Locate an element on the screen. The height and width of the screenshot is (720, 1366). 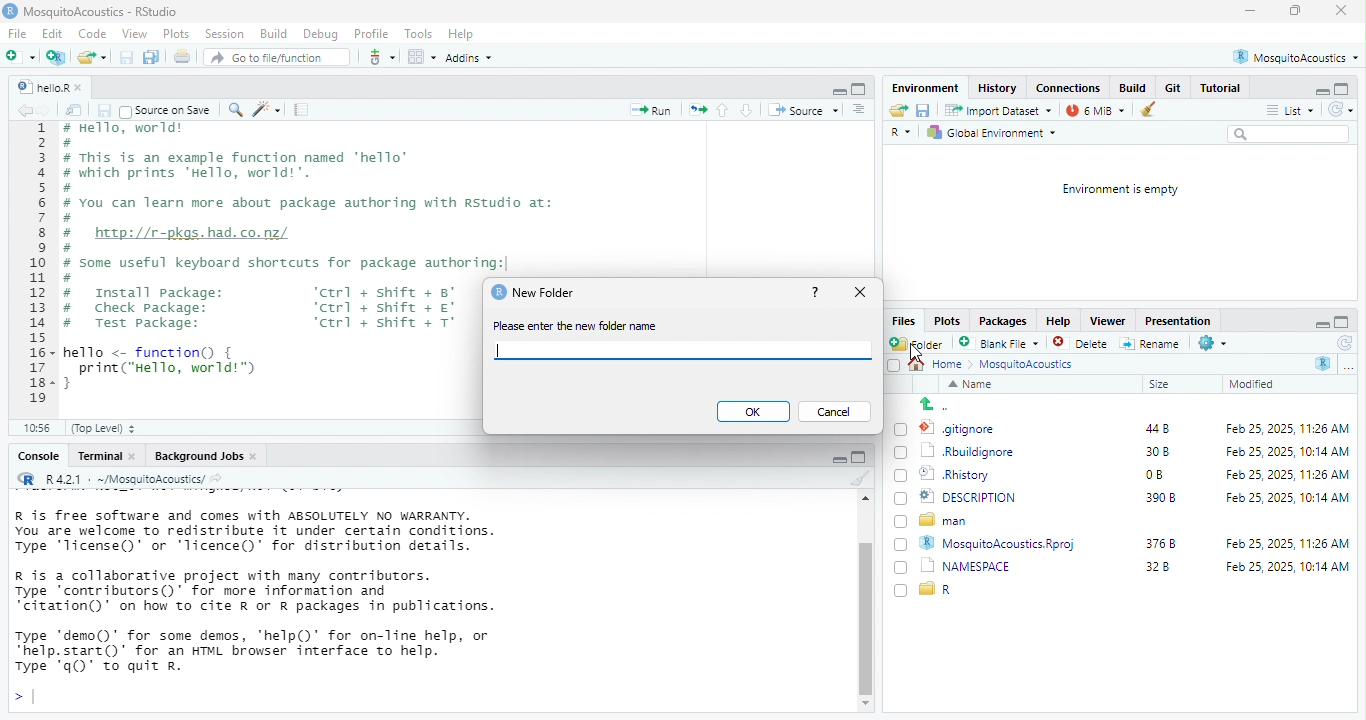
hide console is located at coordinates (1341, 87).